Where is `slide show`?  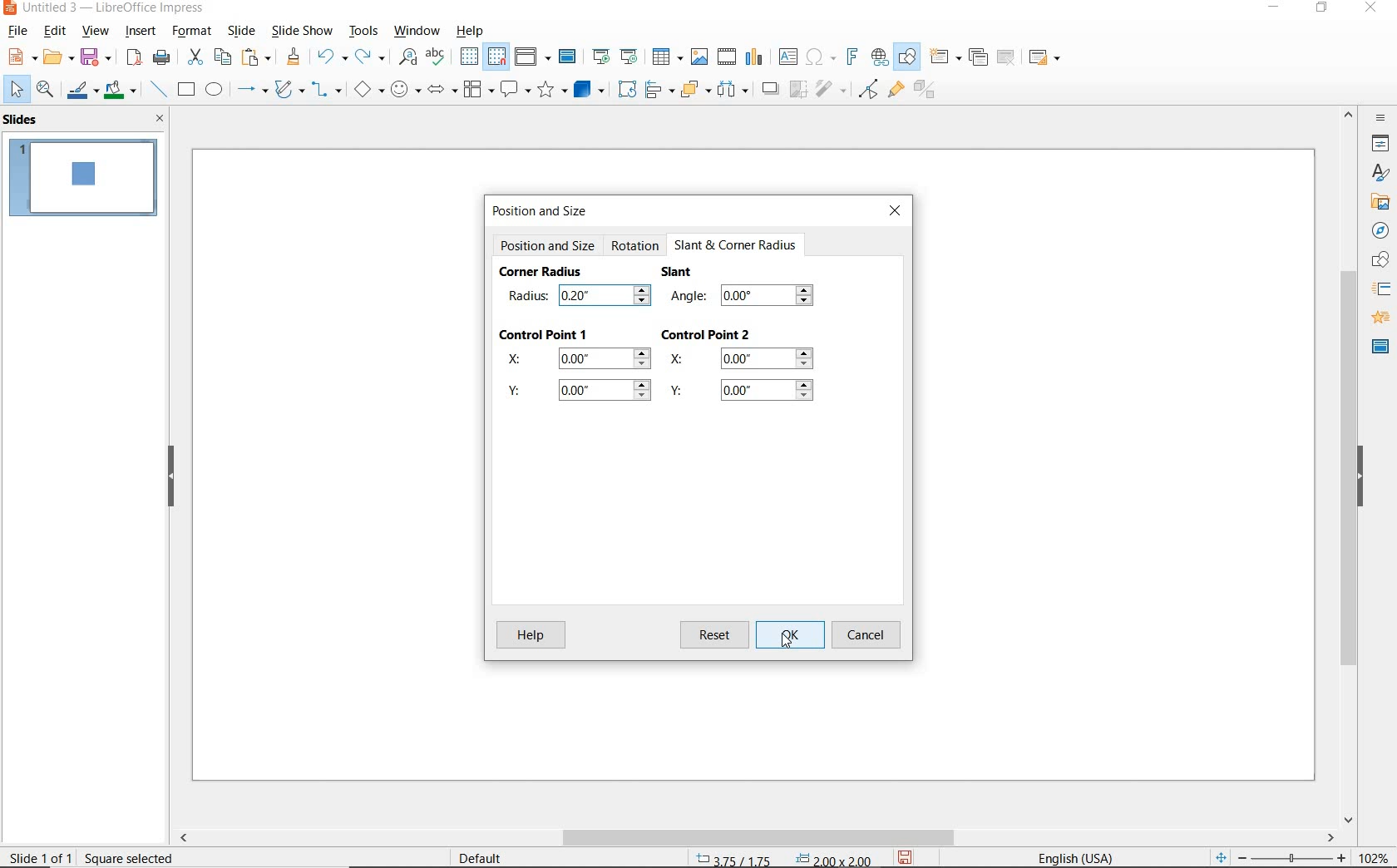 slide show is located at coordinates (303, 32).